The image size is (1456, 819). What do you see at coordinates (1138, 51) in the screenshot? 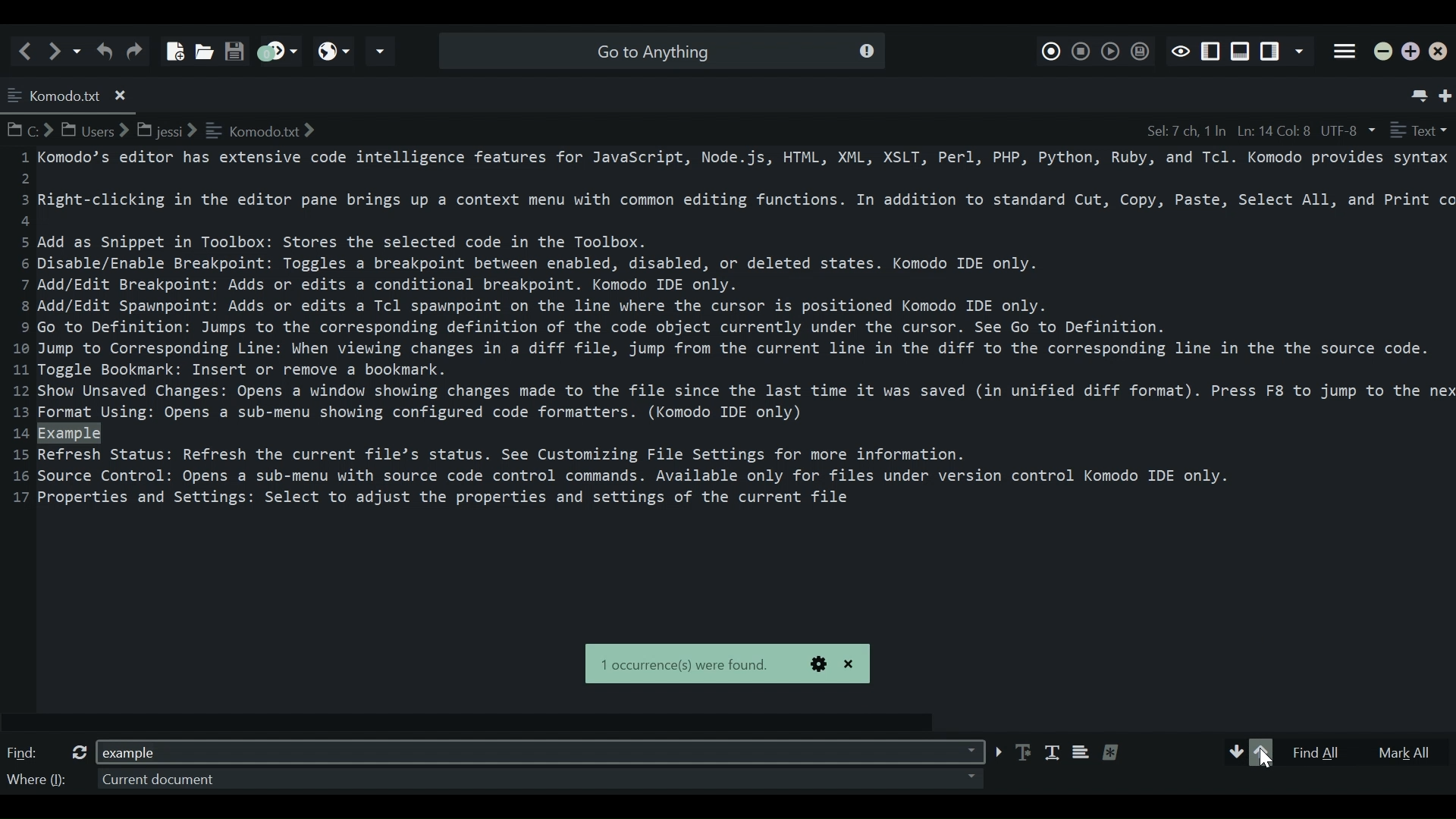
I see `Save Macro to Toolbox as Superscript` at bounding box center [1138, 51].